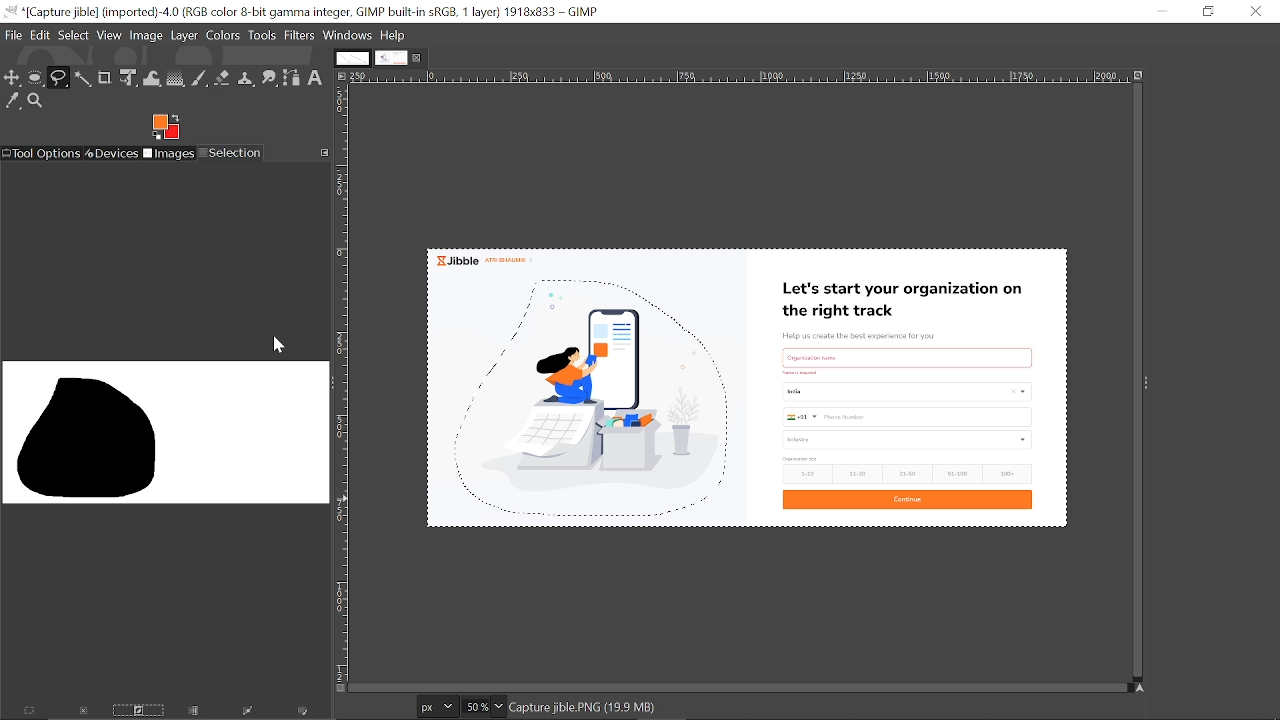  What do you see at coordinates (315, 78) in the screenshot?
I see `Text tool` at bounding box center [315, 78].